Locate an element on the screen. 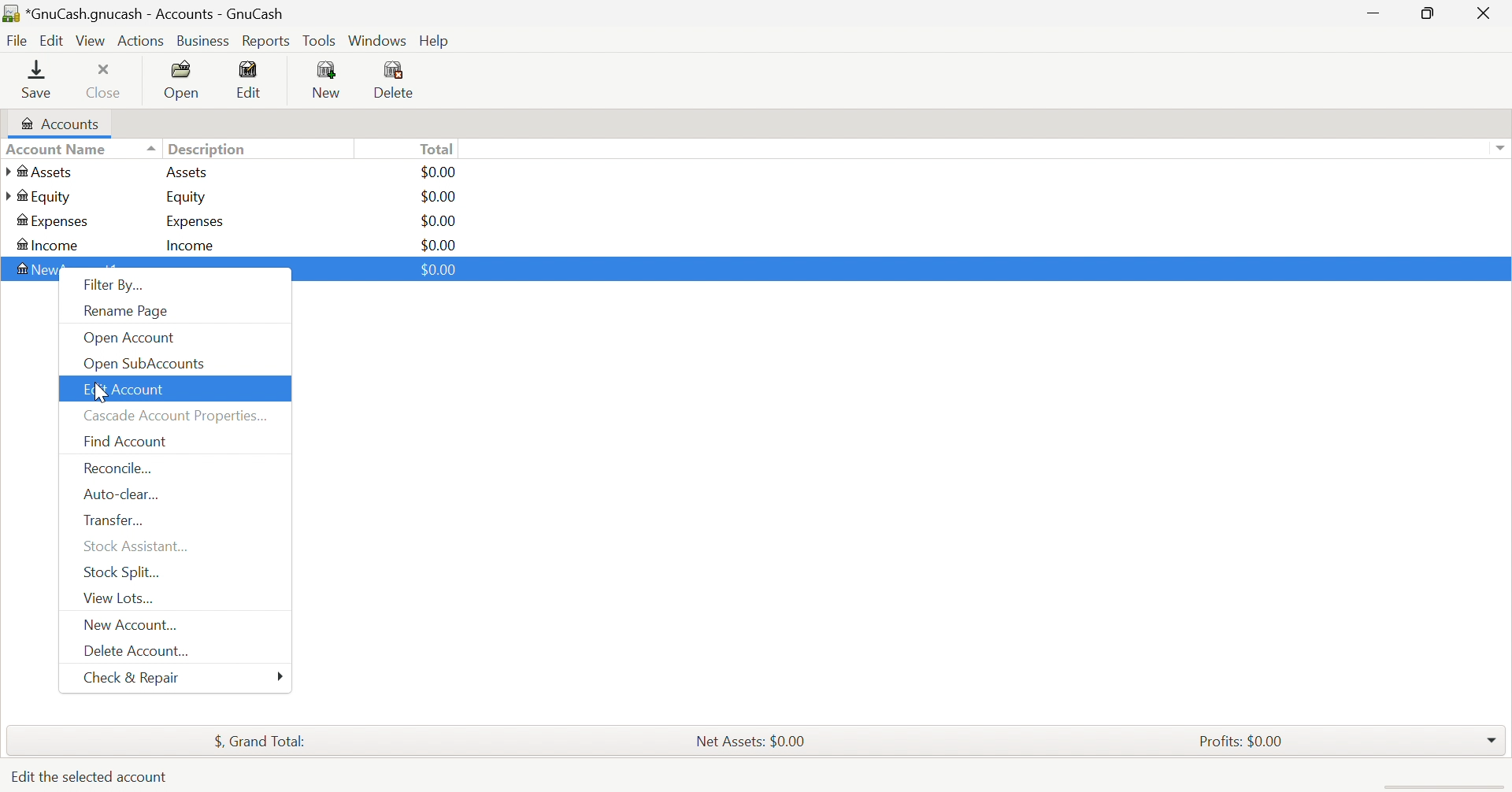  $, Grand Total: is located at coordinates (264, 741).